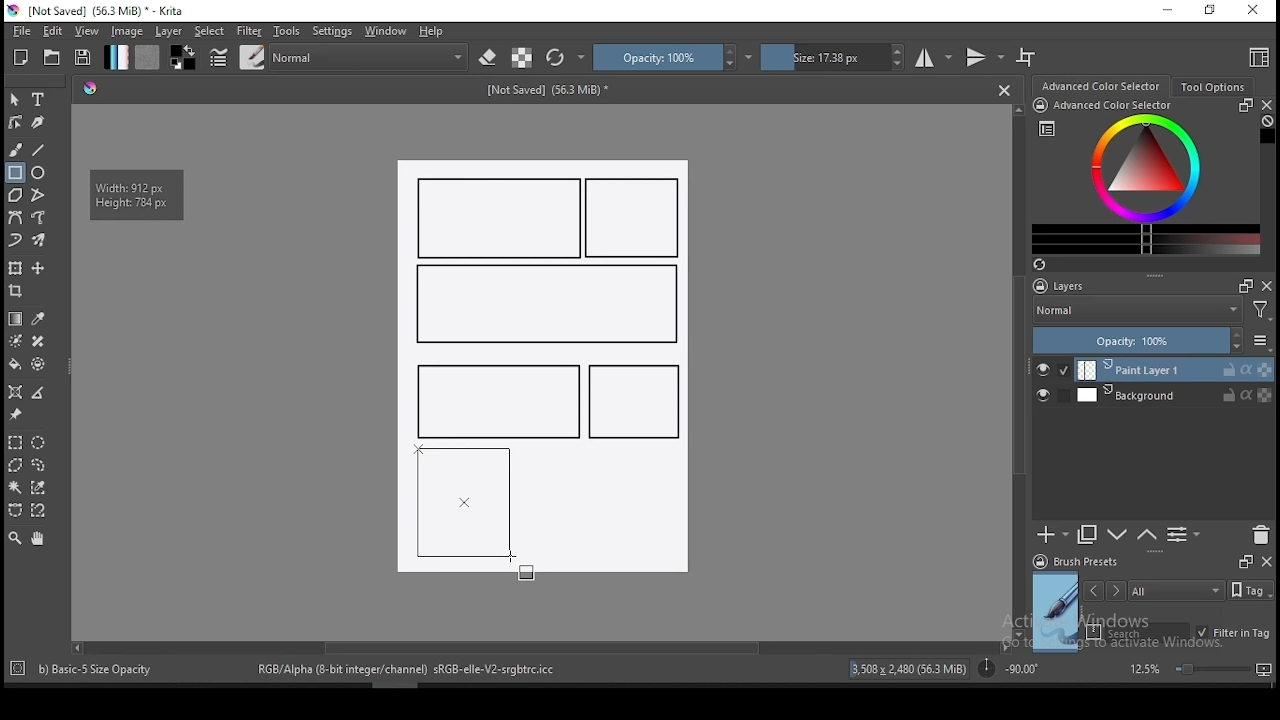 The height and width of the screenshot is (720, 1280). What do you see at coordinates (1174, 395) in the screenshot?
I see `layer` at bounding box center [1174, 395].